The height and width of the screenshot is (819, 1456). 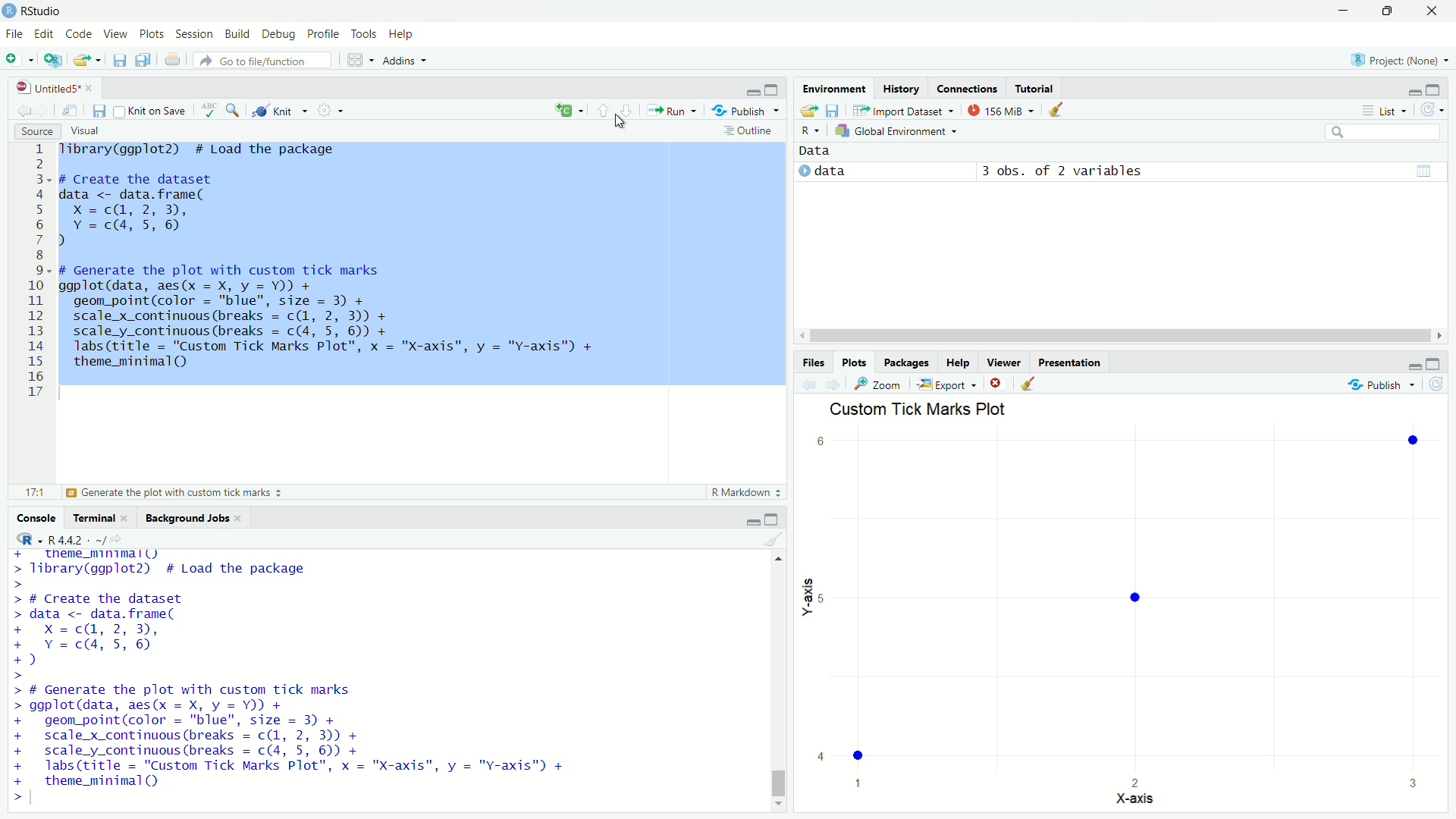 What do you see at coordinates (1442, 364) in the screenshot?
I see `maximize` at bounding box center [1442, 364].